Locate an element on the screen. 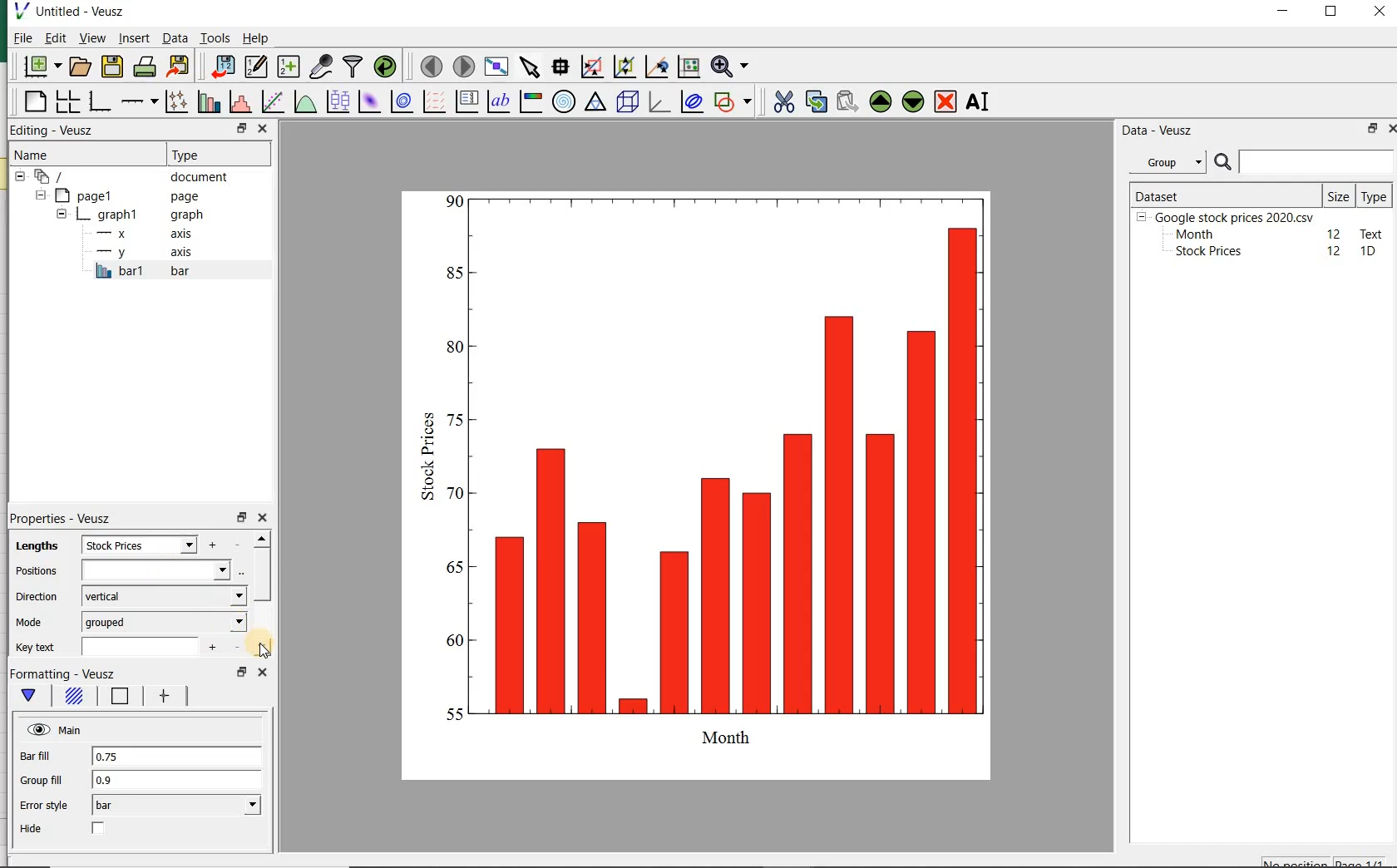 This screenshot has height=868, width=1397. close  is located at coordinates (1396, 129).